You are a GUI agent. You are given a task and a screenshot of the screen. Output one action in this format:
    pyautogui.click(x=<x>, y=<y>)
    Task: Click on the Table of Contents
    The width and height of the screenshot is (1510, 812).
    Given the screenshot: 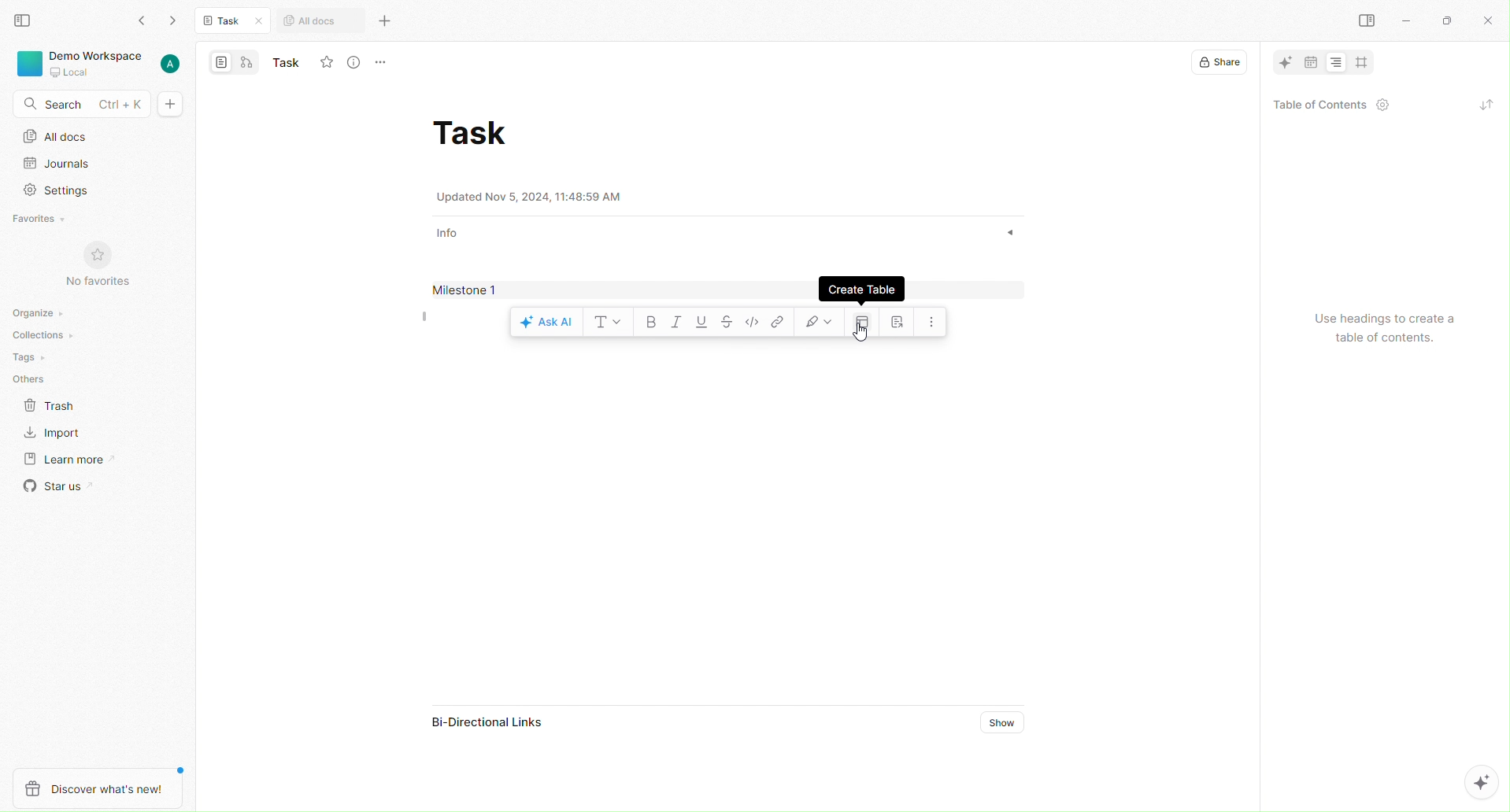 What is the action you would take?
    pyautogui.click(x=1328, y=106)
    